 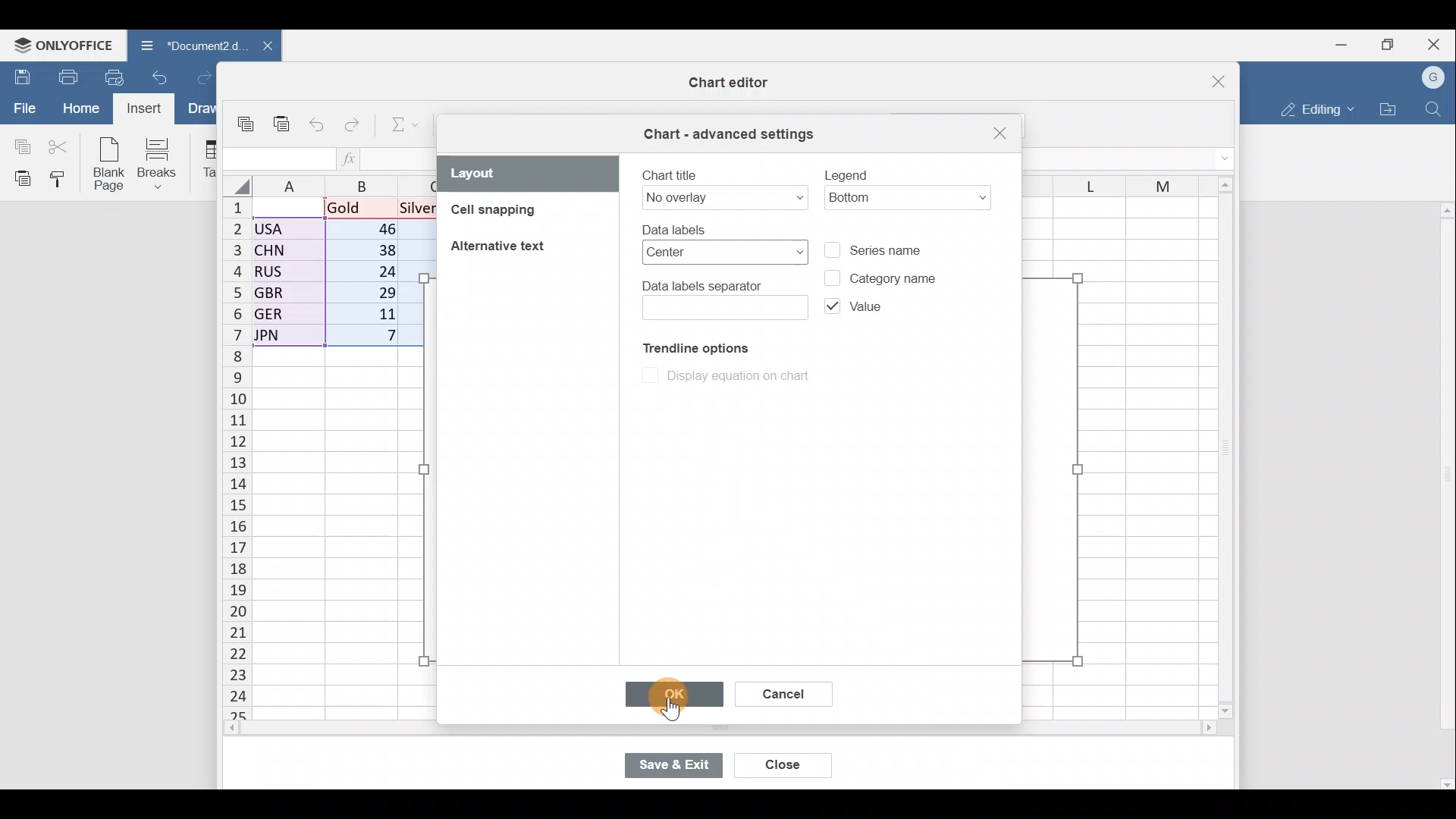 I want to click on ONLYOFFICE Menu, so click(x=61, y=45).